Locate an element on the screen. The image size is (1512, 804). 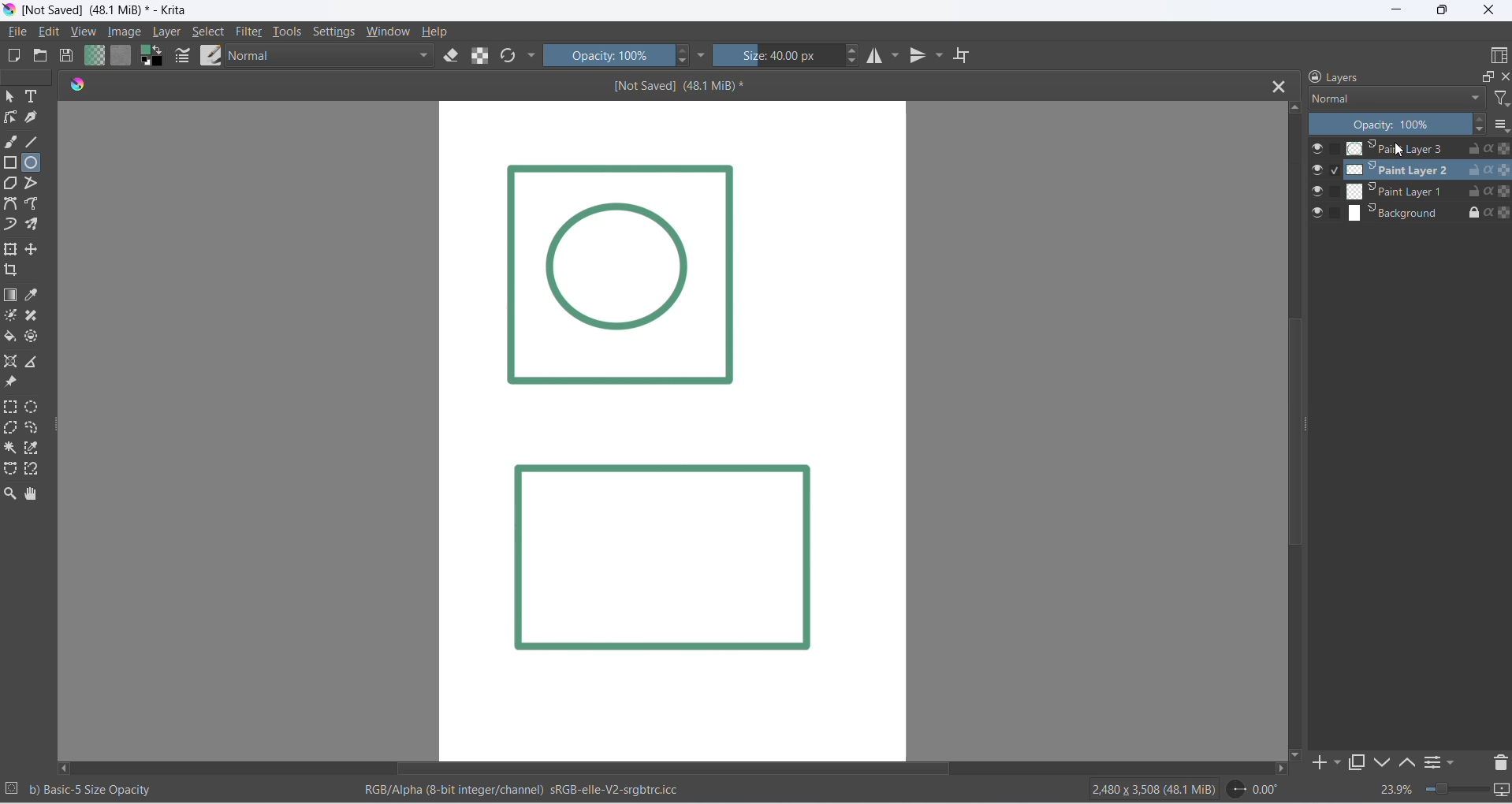
new file is located at coordinates (18, 55).